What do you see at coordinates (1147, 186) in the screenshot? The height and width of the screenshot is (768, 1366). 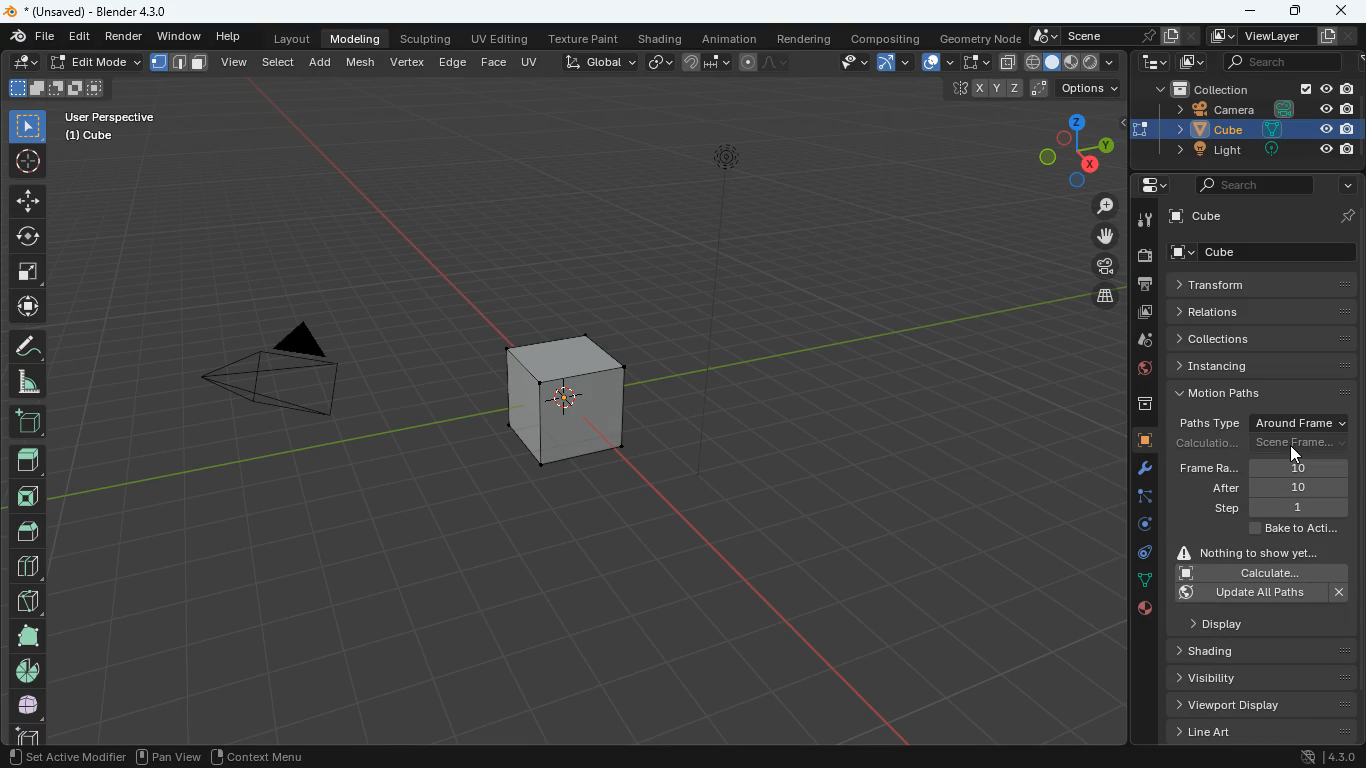 I see `settings` at bounding box center [1147, 186].